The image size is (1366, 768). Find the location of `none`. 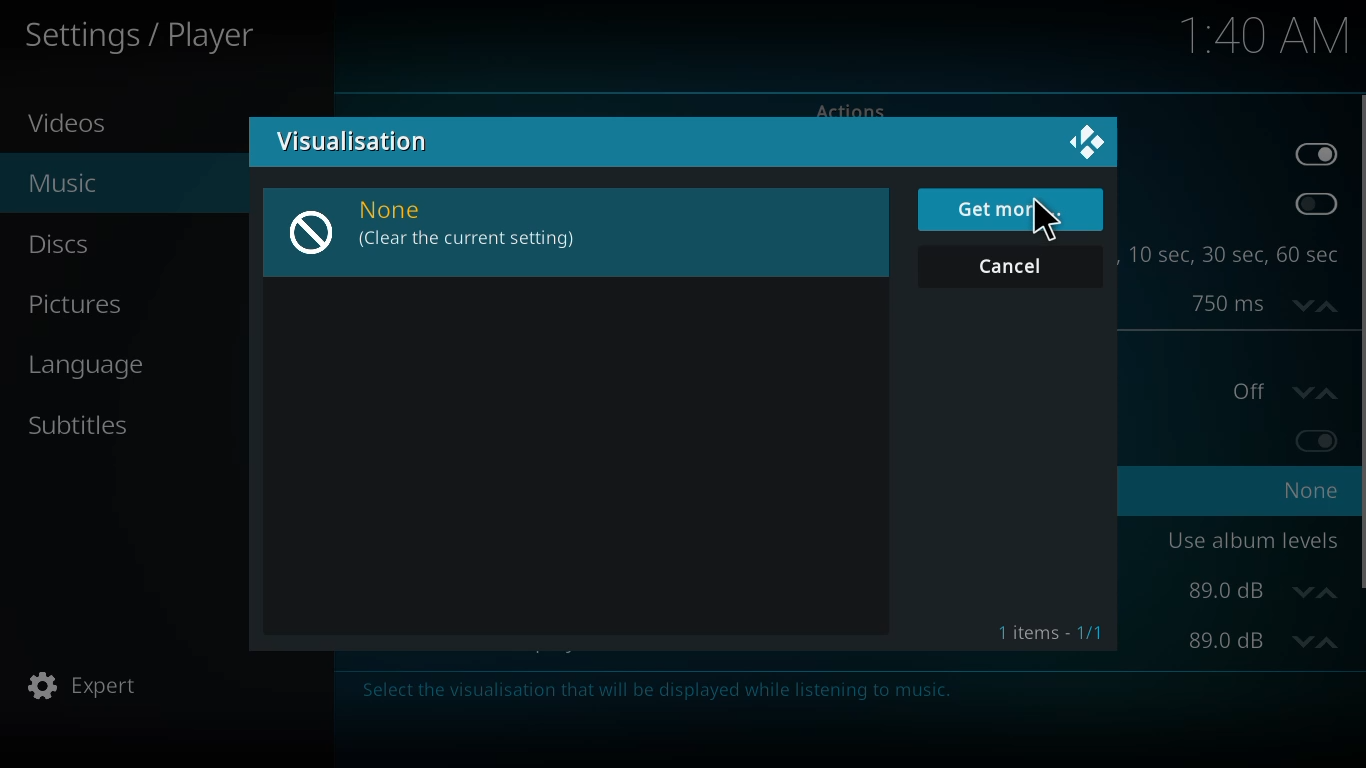

none is located at coordinates (446, 224).